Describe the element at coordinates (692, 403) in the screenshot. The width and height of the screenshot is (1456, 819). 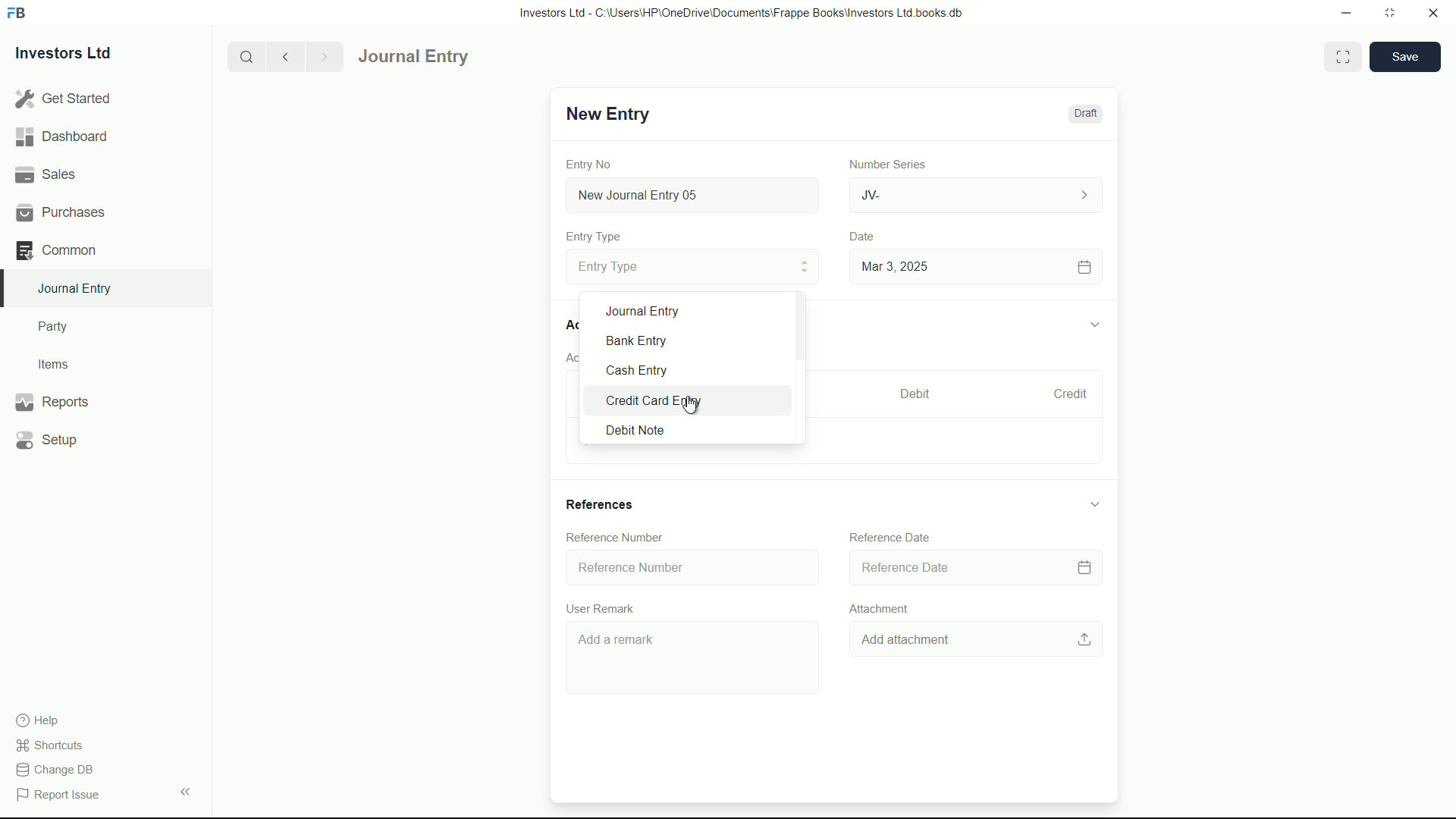
I see `cursor` at that location.